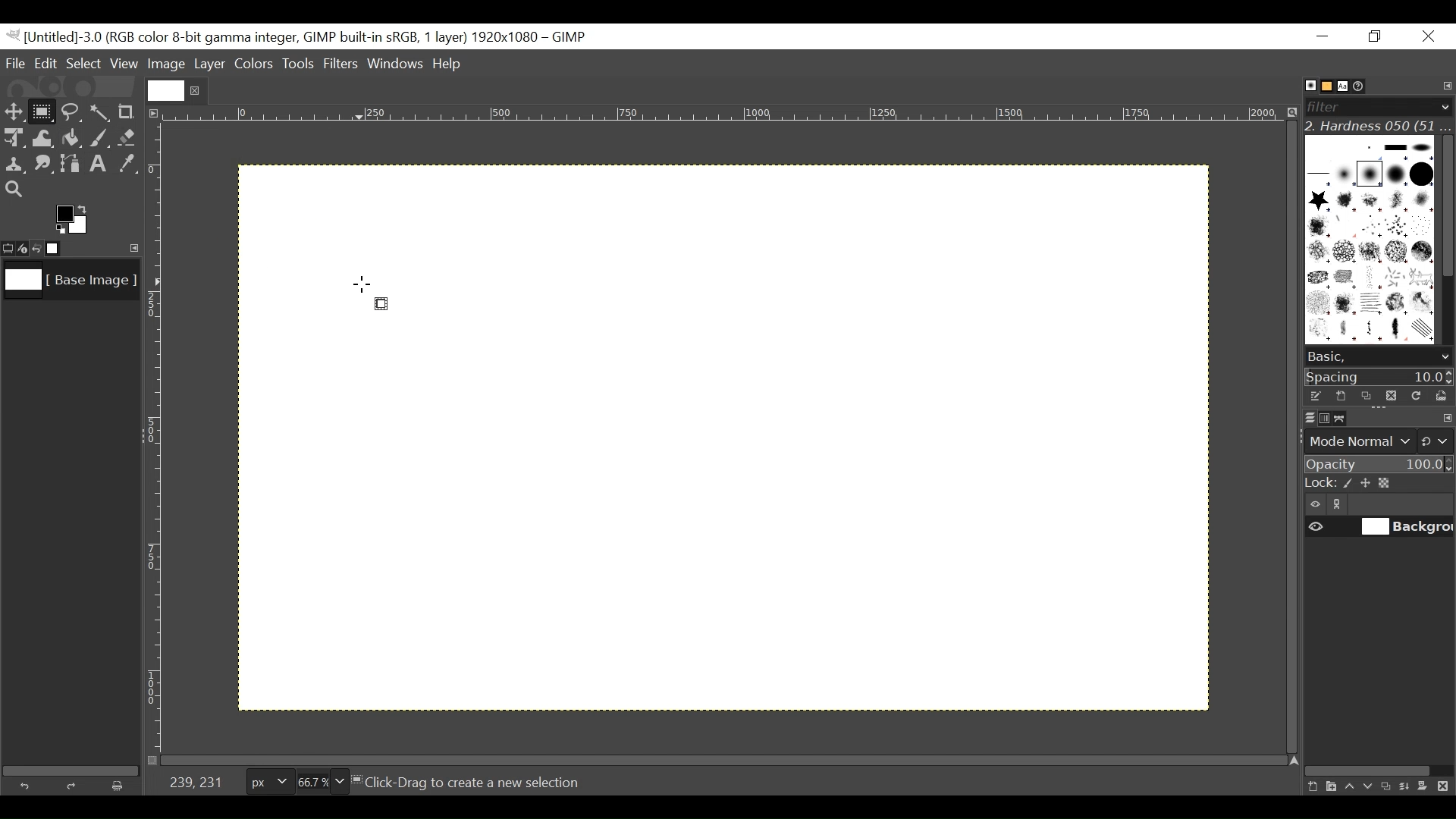 This screenshot has width=1456, height=819. I want to click on link/unlink item, so click(1341, 507).